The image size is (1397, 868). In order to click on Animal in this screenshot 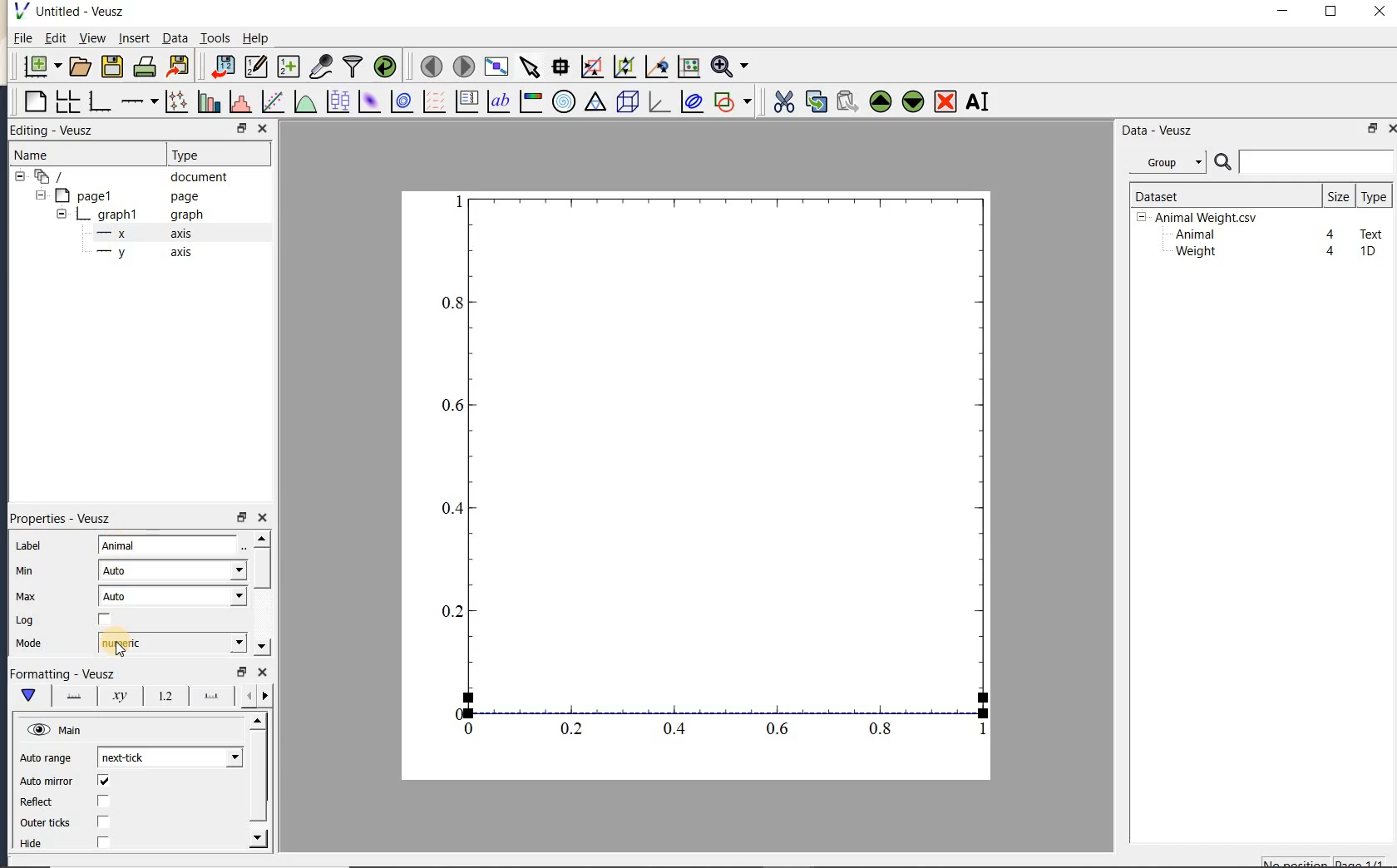, I will do `click(1193, 235)`.